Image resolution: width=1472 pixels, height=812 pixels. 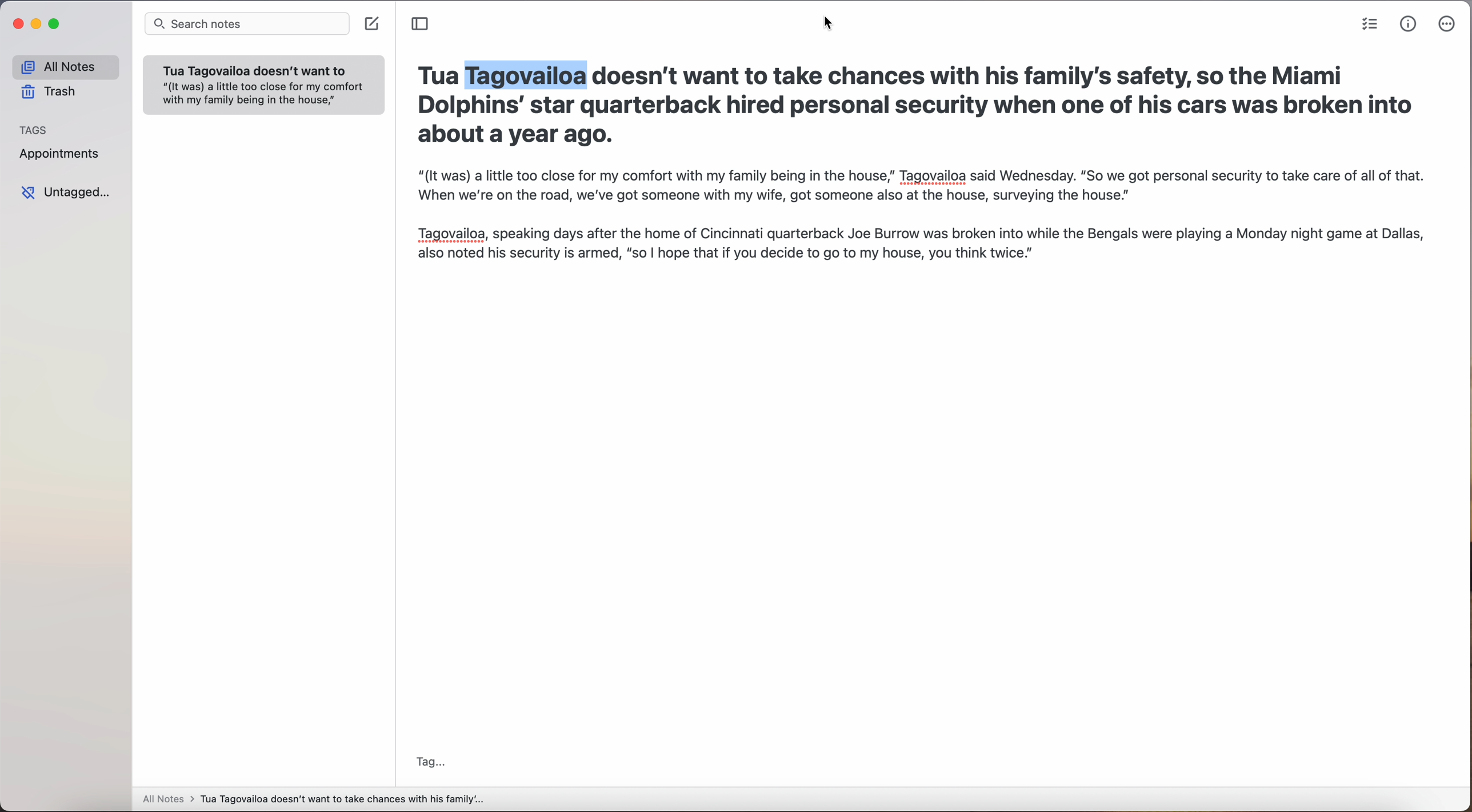 I want to click on all notes, so click(x=65, y=66).